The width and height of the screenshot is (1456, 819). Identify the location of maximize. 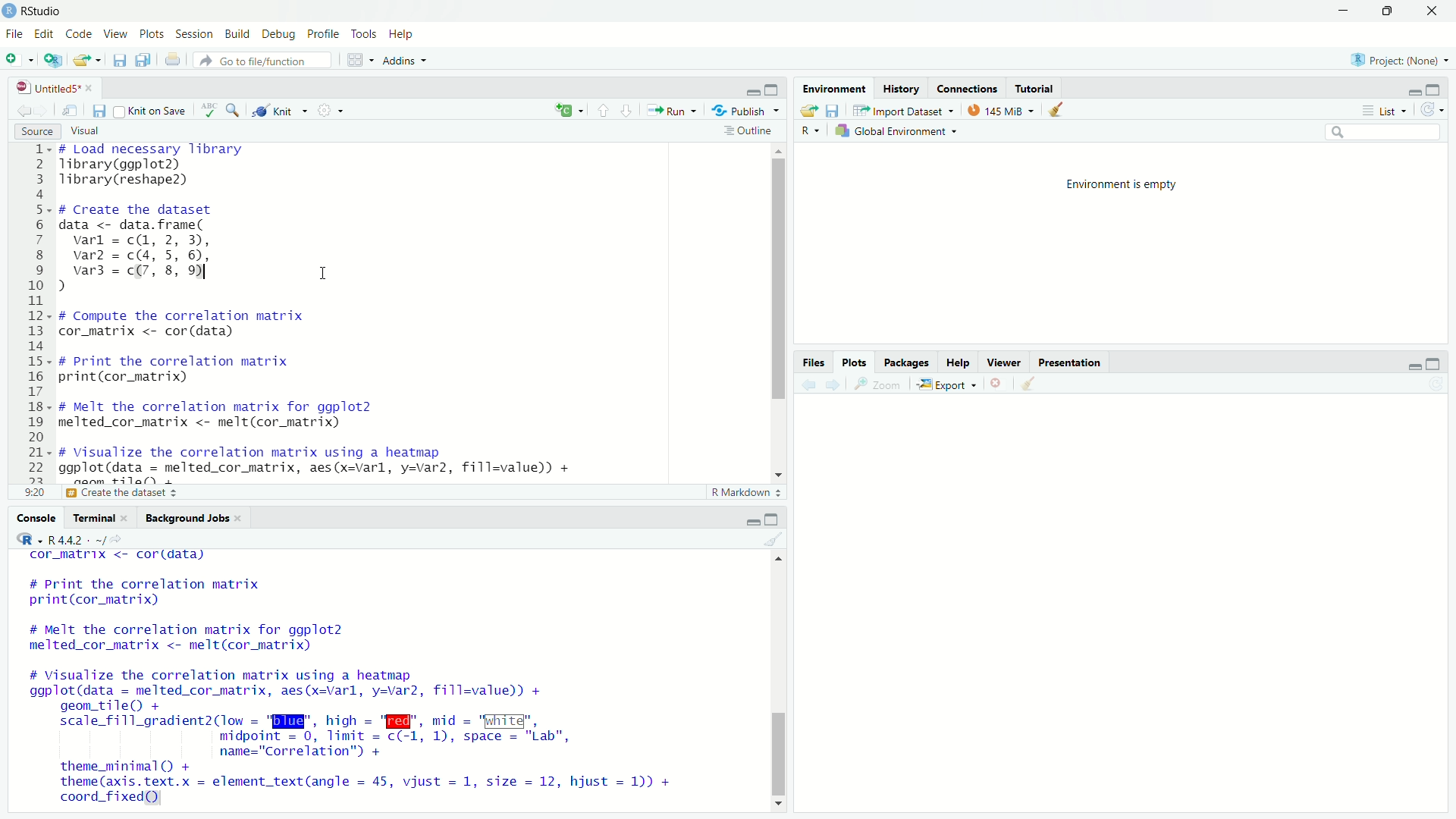
(1386, 11).